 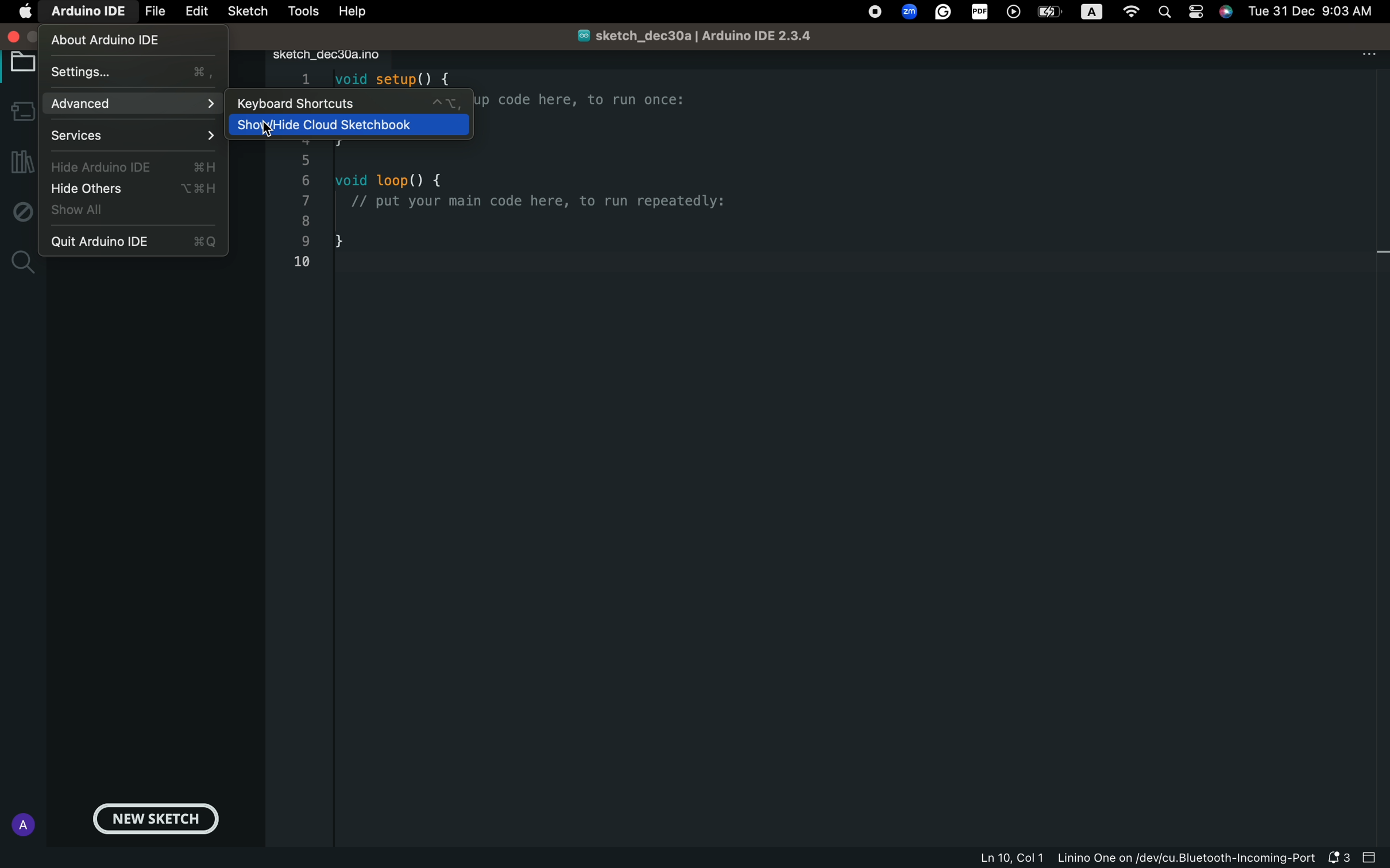 What do you see at coordinates (135, 241) in the screenshot?
I see `quit arduino` at bounding box center [135, 241].